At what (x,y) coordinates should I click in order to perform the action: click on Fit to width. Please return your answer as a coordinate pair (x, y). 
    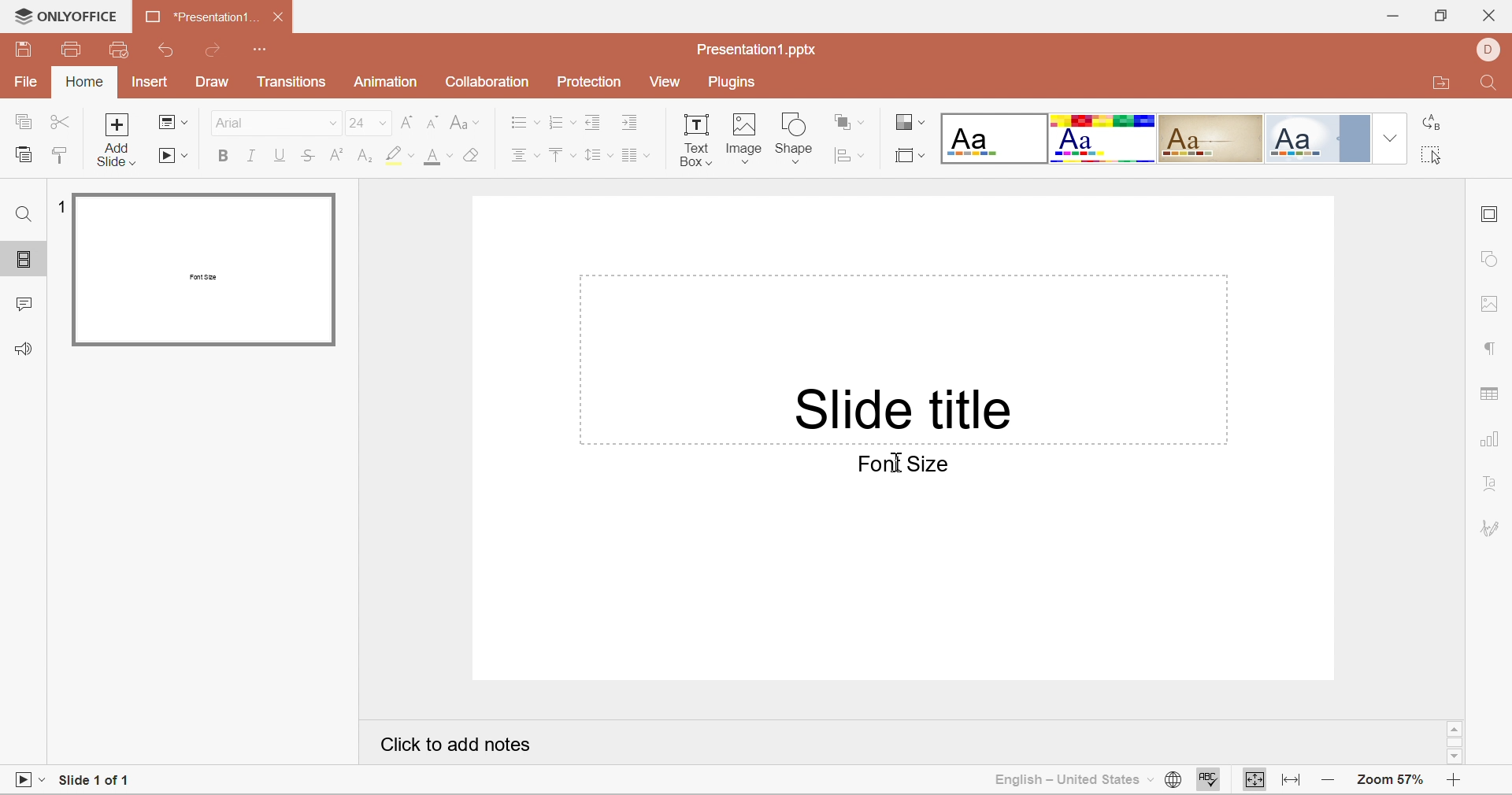
    Looking at the image, I should click on (1291, 782).